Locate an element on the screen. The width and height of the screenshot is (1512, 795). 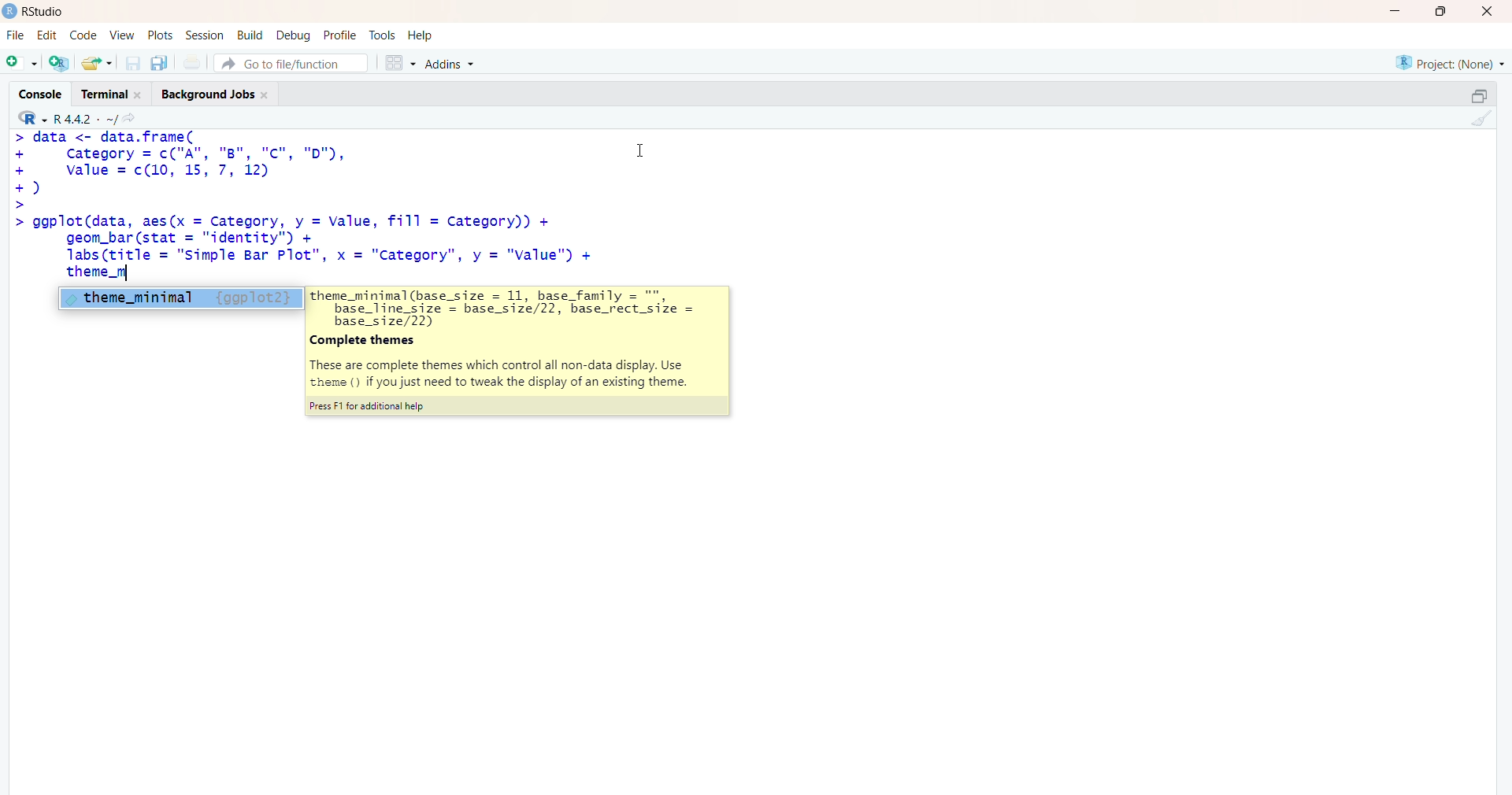
Addins is located at coordinates (453, 65).